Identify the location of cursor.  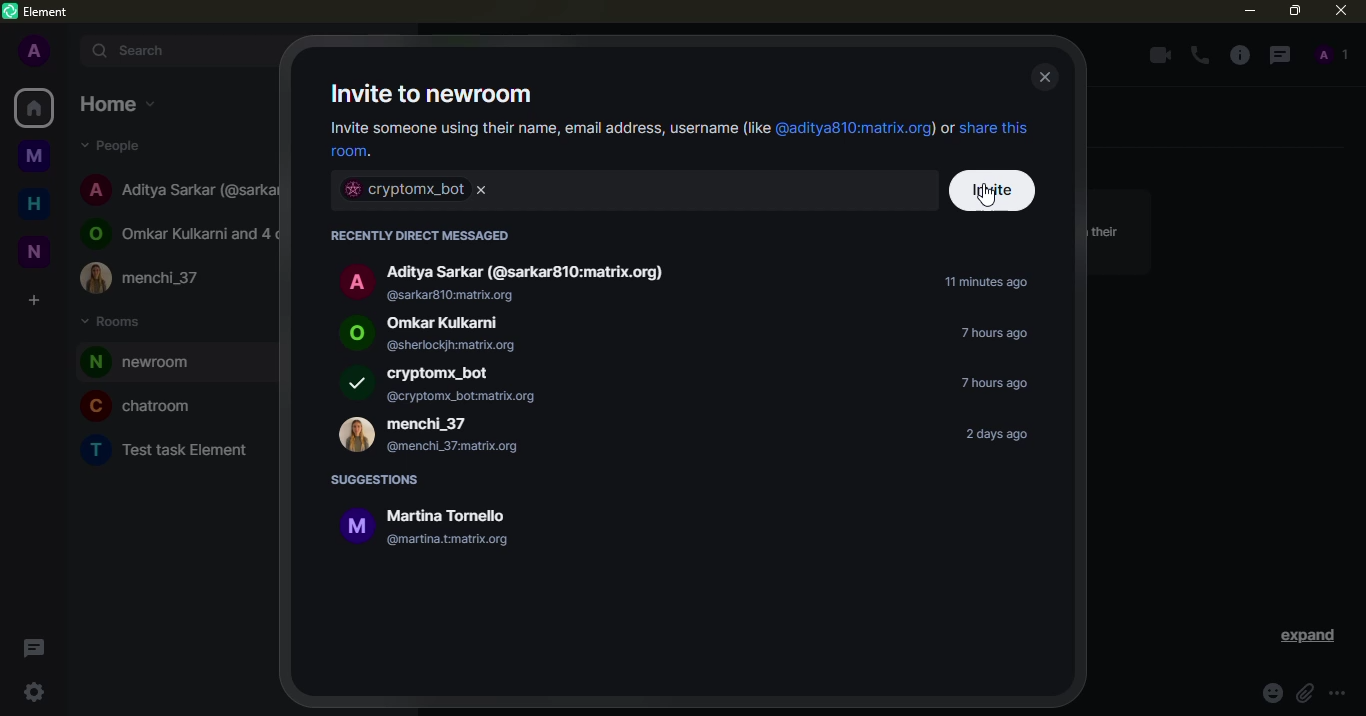
(990, 191).